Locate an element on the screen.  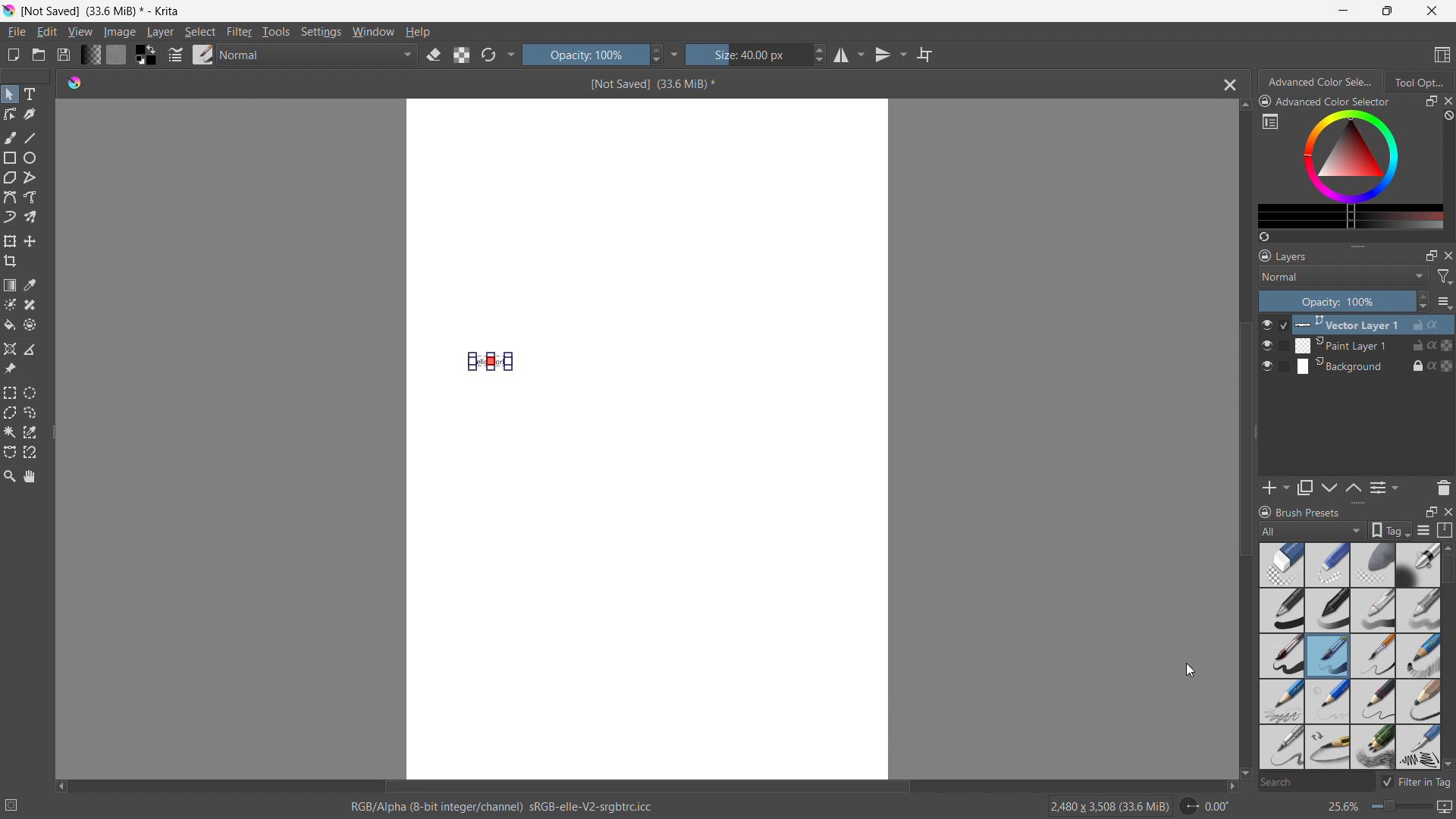
layers is located at coordinates (1283, 255).